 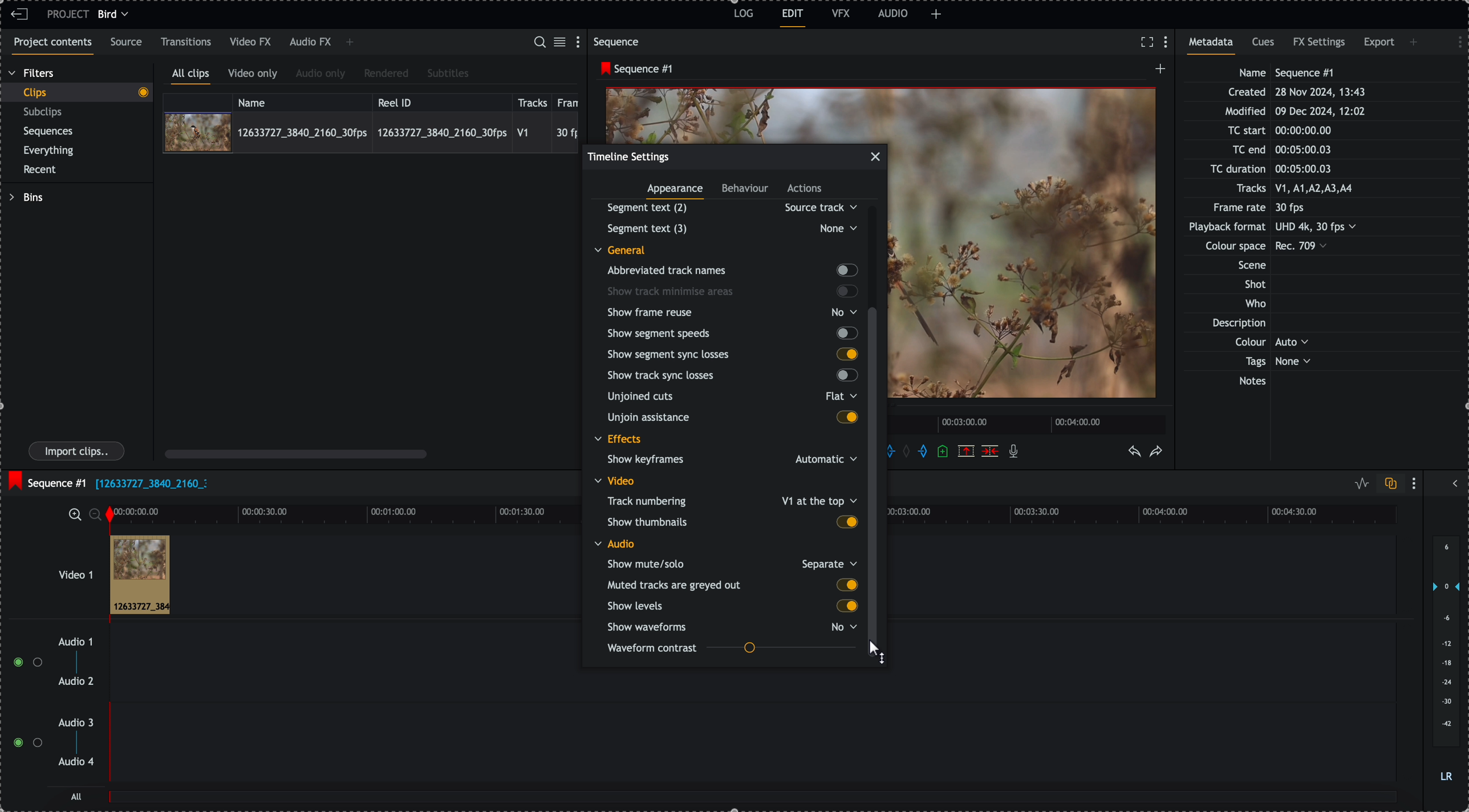 What do you see at coordinates (754, 802) in the screenshot?
I see `all` at bounding box center [754, 802].